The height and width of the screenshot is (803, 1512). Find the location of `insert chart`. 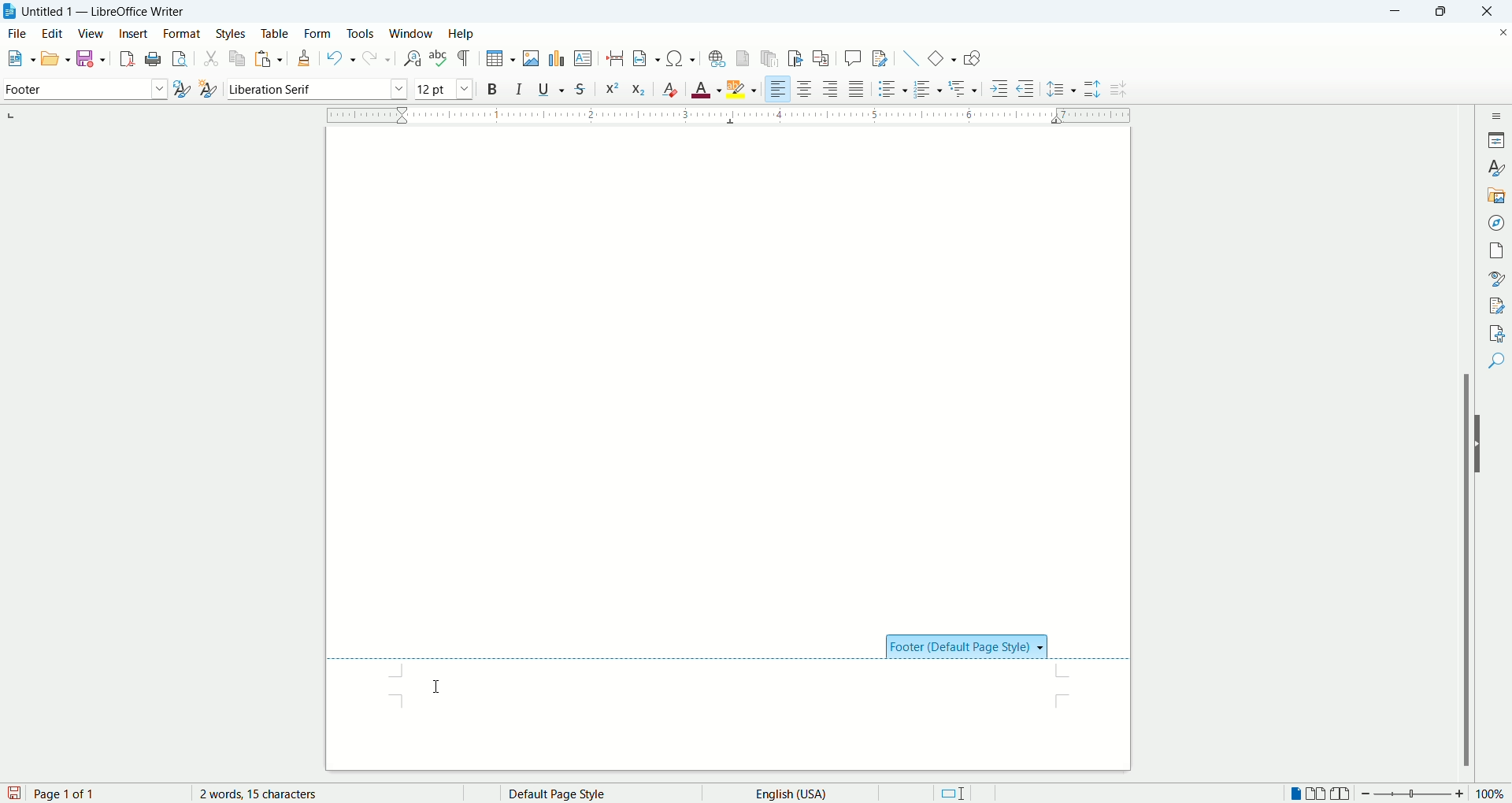

insert chart is located at coordinates (555, 57).